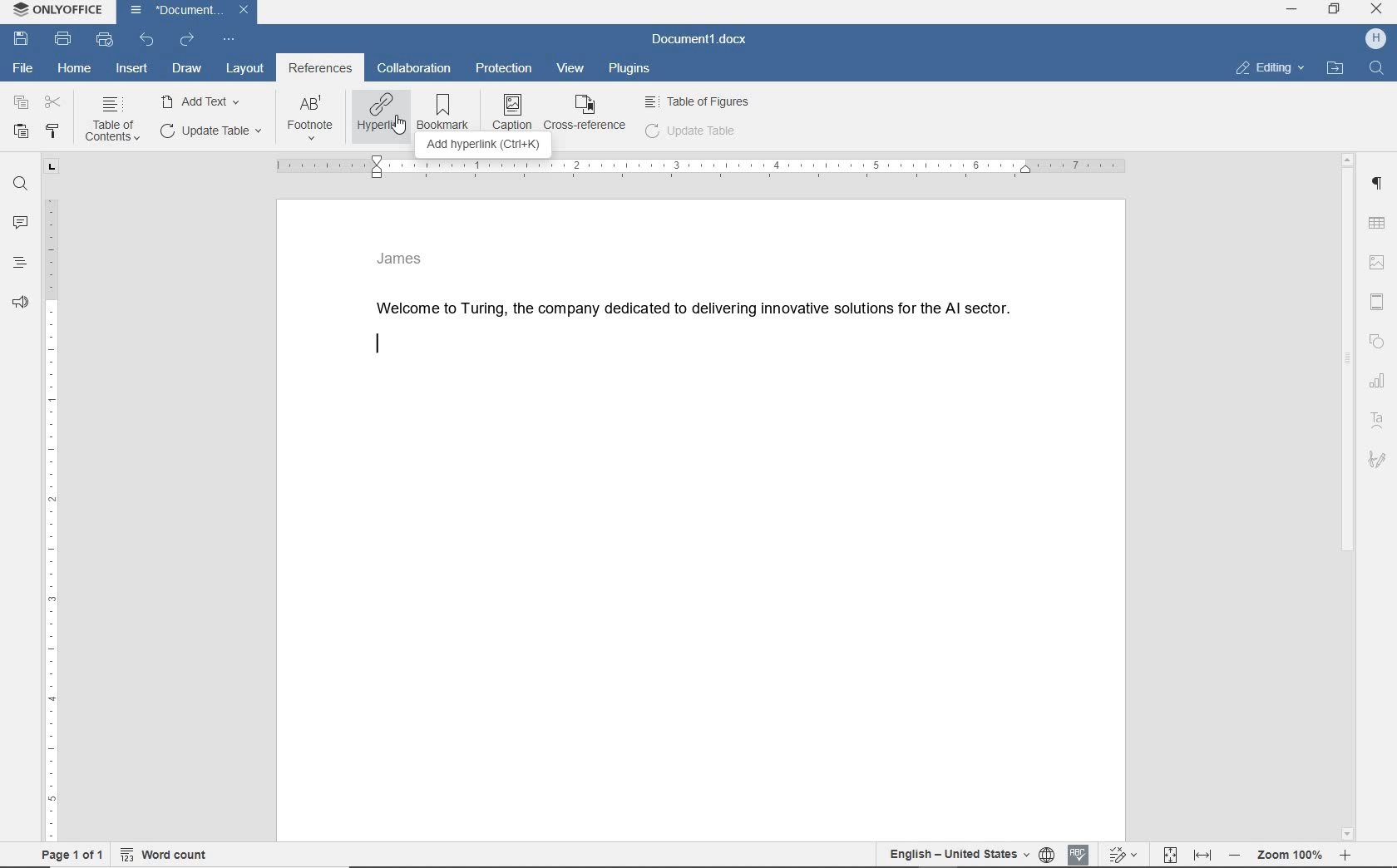 The width and height of the screenshot is (1397, 868). What do you see at coordinates (1277, 67) in the screenshot?
I see `Editing` at bounding box center [1277, 67].